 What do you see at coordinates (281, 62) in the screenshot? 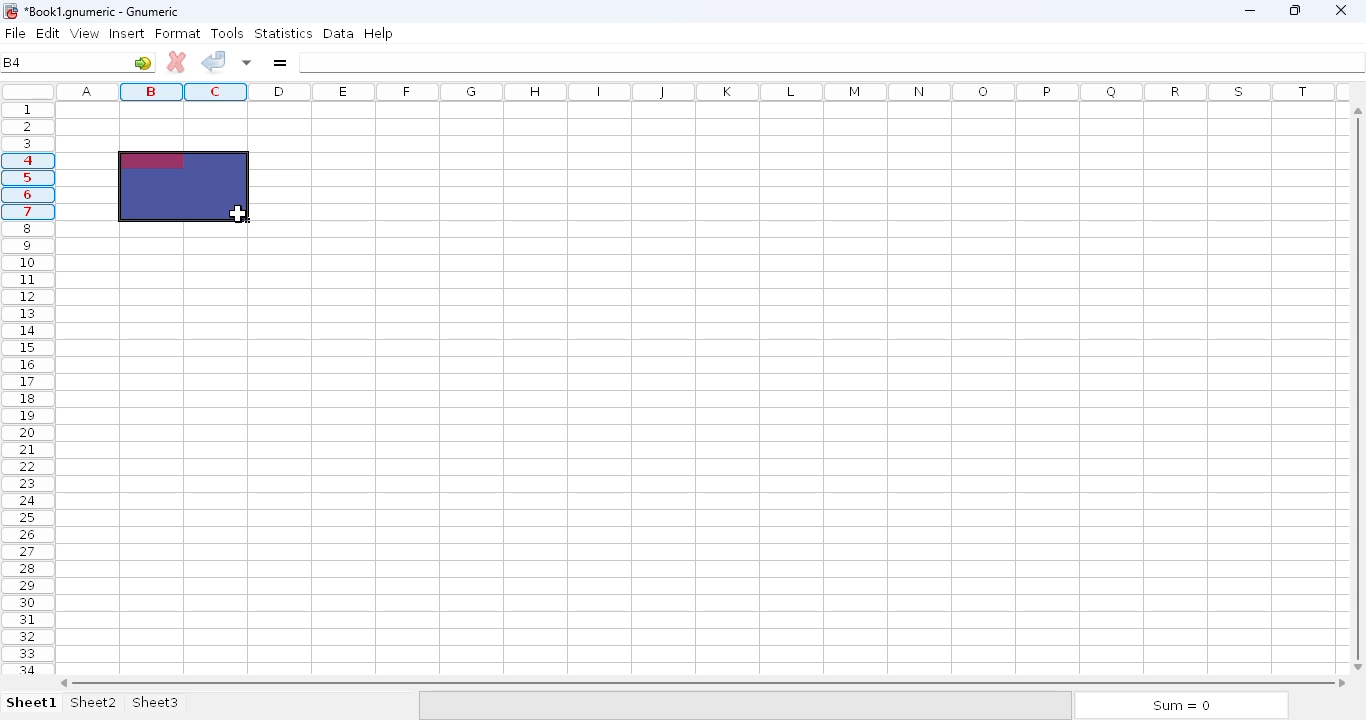
I see `enter formula` at bounding box center [281, 62].